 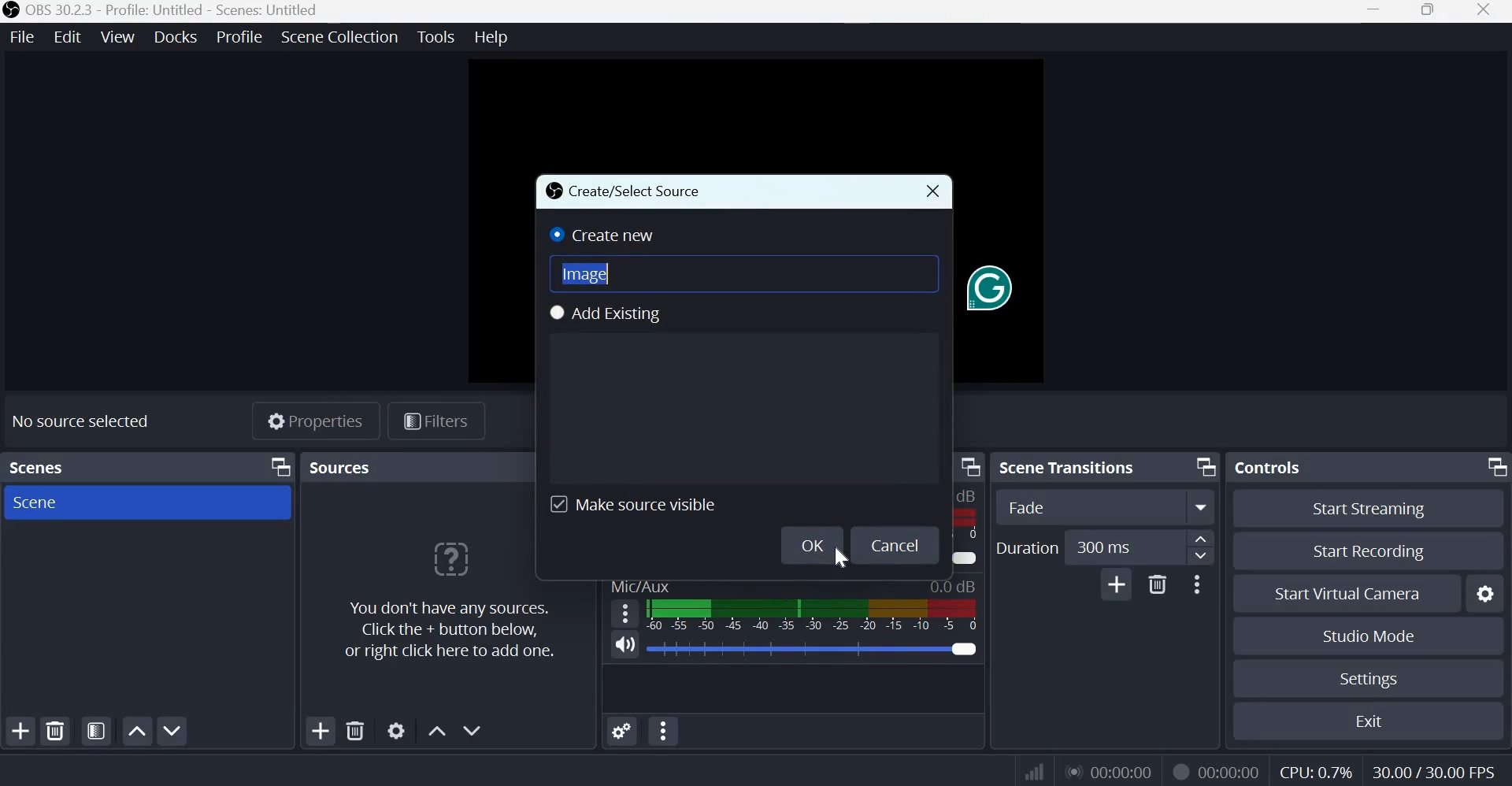 I want to click on Audio Mixer Menu, so click(x=665, y=732).